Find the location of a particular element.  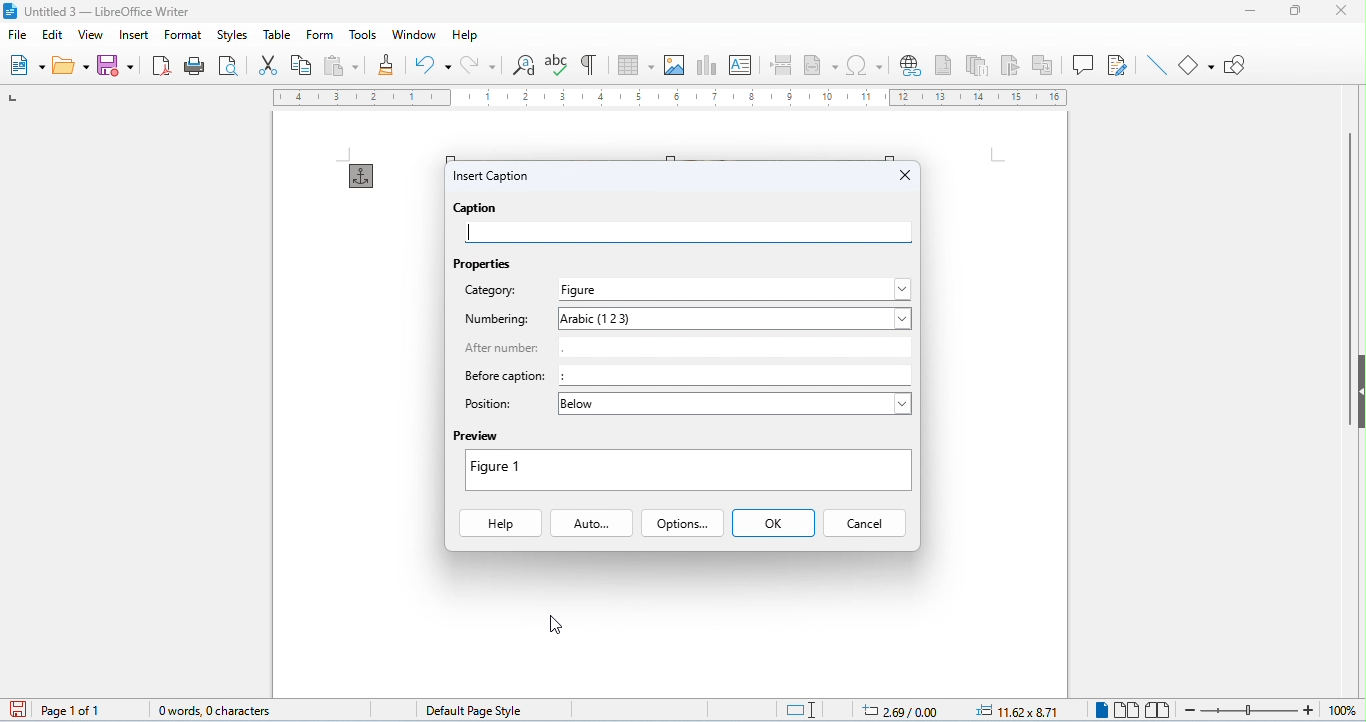

preview is located at coordinates (474, 436).